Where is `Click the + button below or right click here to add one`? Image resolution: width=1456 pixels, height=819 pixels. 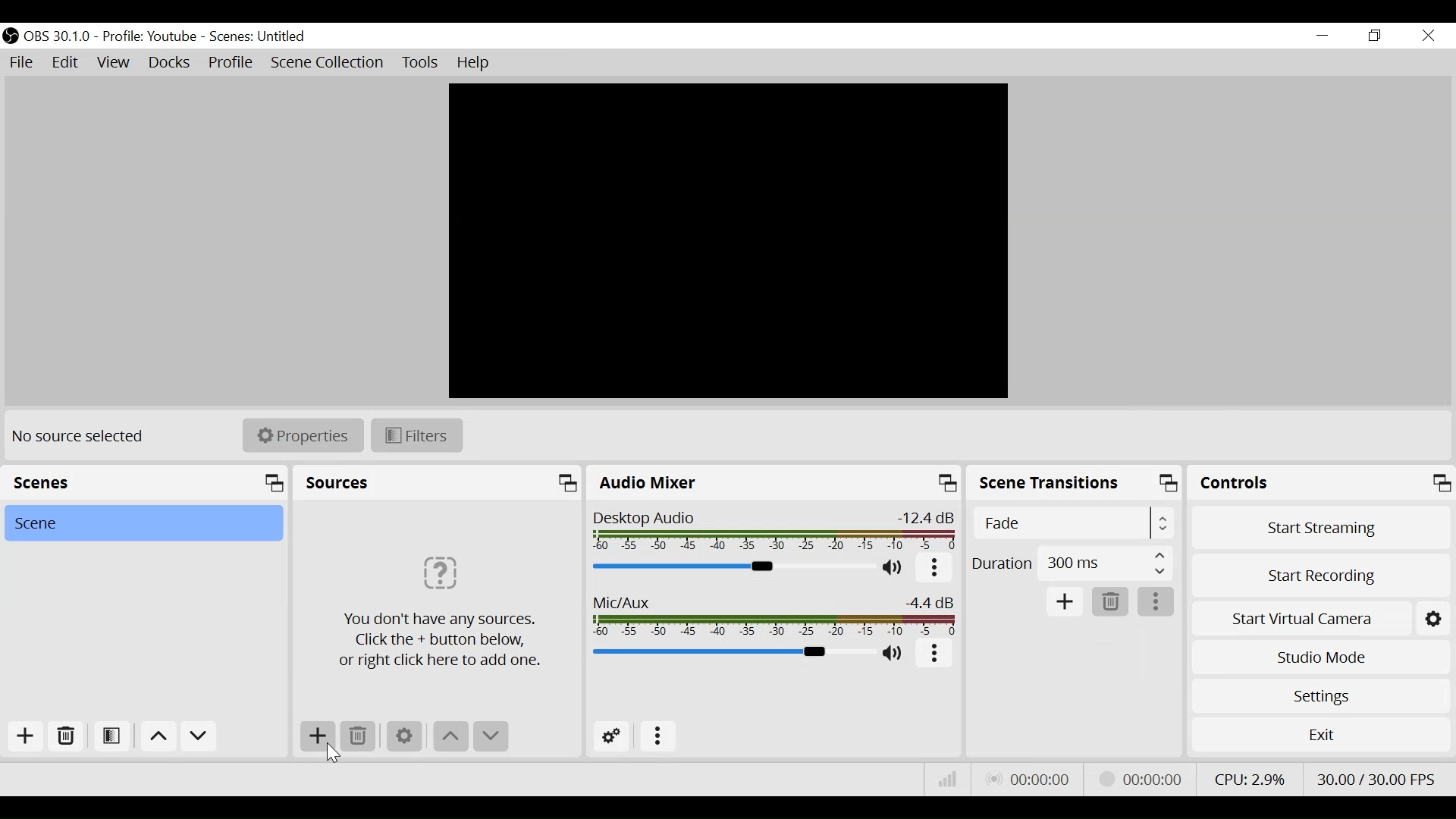
Click the + button below or right click here to add one is located at coordinates (435, 609).